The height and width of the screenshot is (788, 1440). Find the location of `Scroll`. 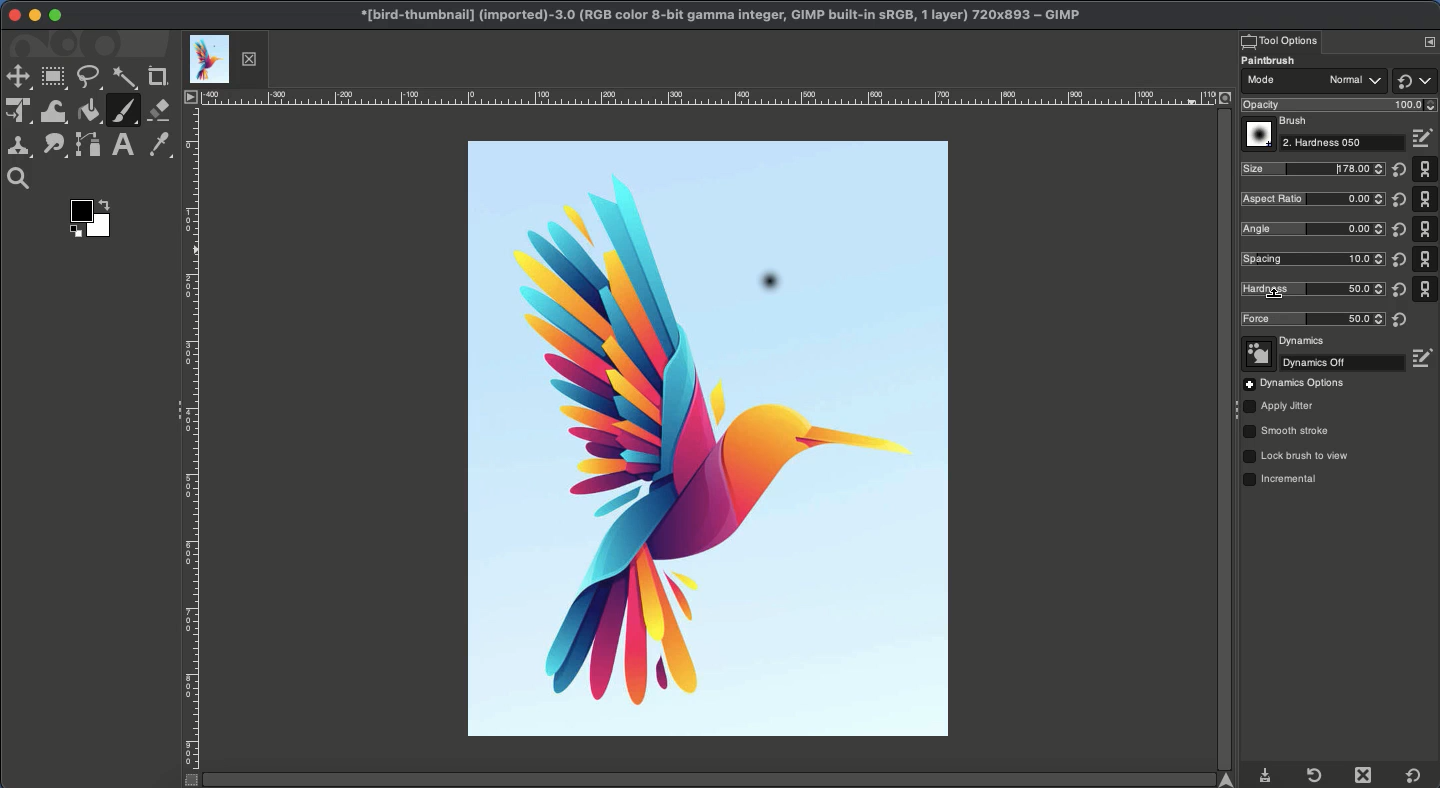

Scroll is located at coordinates (1222, 439).